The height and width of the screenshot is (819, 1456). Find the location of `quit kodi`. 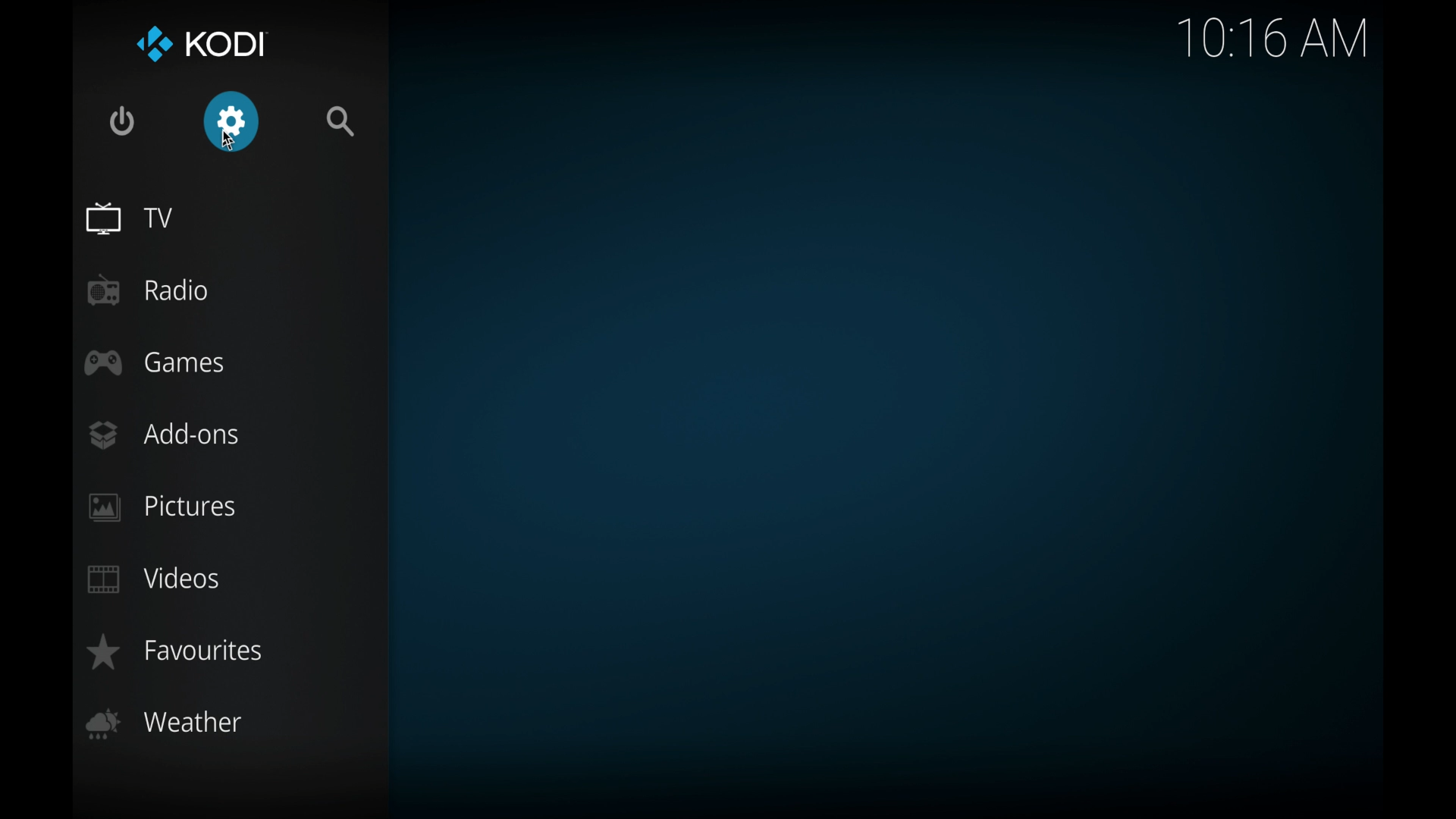

quit kodi is located at coordinates (123, 121).